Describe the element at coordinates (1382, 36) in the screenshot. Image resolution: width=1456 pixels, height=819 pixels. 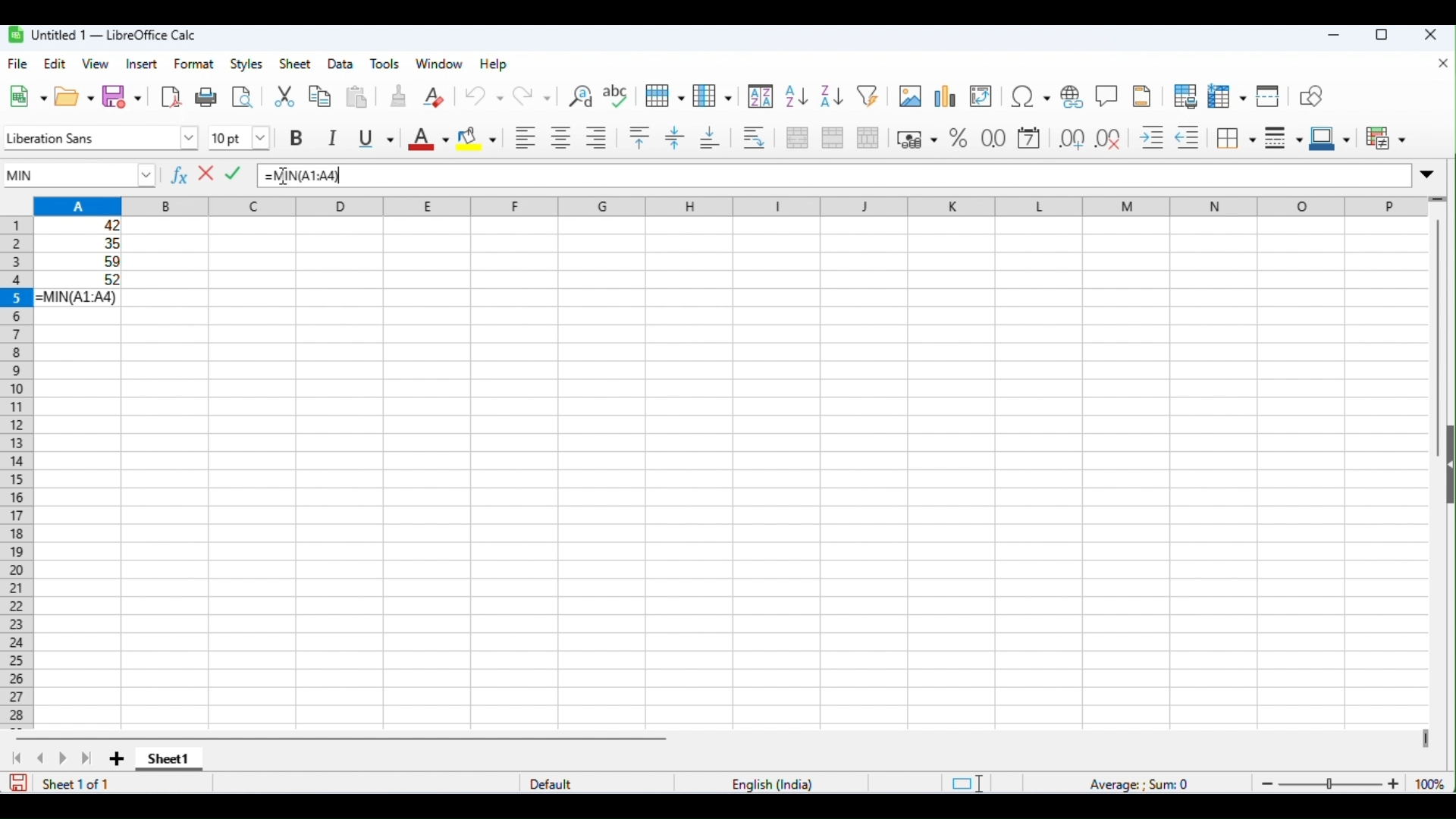
I see `maximize` at that location.